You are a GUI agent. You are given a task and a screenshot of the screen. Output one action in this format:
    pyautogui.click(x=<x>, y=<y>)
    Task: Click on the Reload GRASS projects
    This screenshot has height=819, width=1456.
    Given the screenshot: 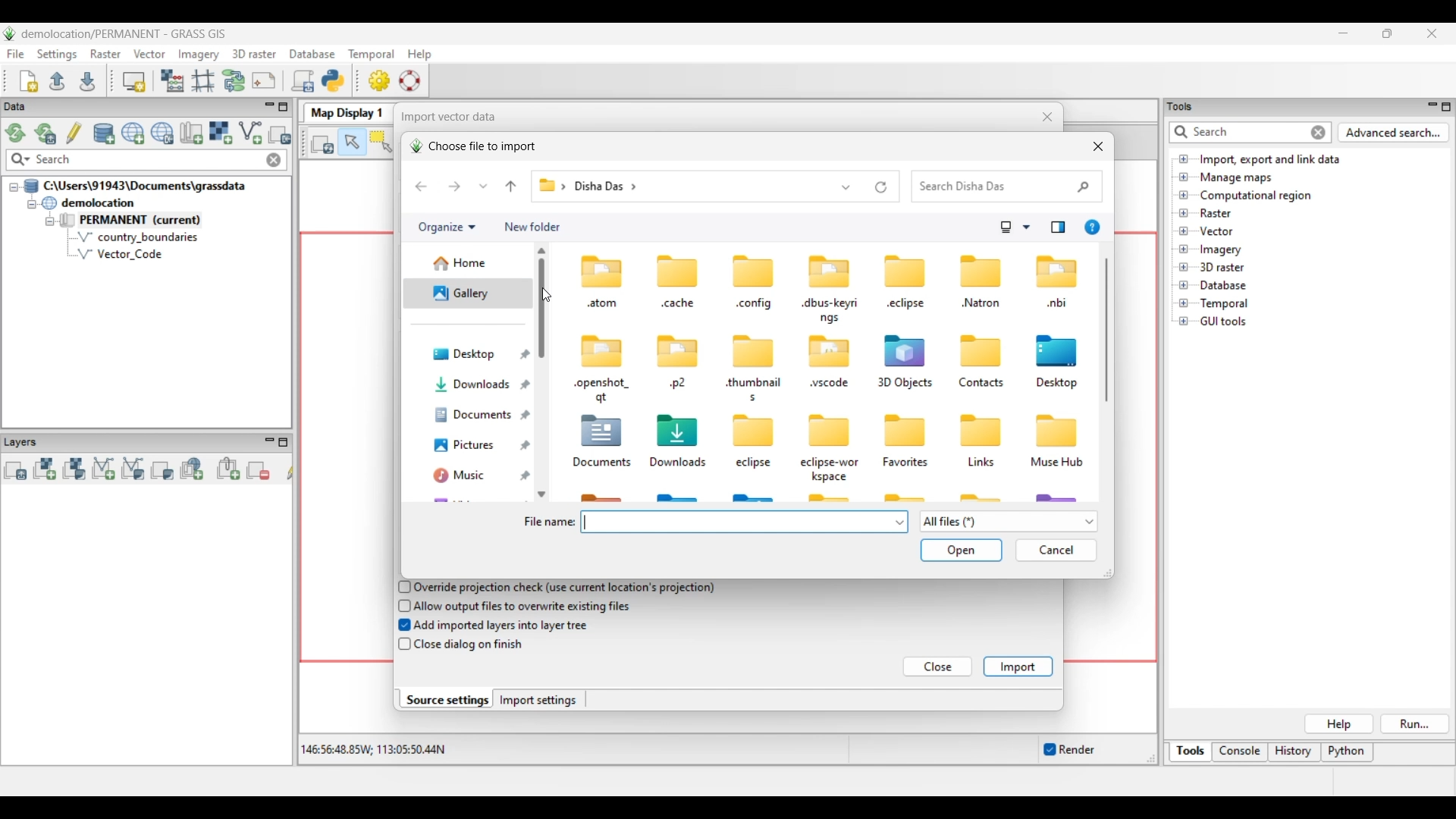 What is the action you would take?
    pyautogui.click(x=16, y=133)
    